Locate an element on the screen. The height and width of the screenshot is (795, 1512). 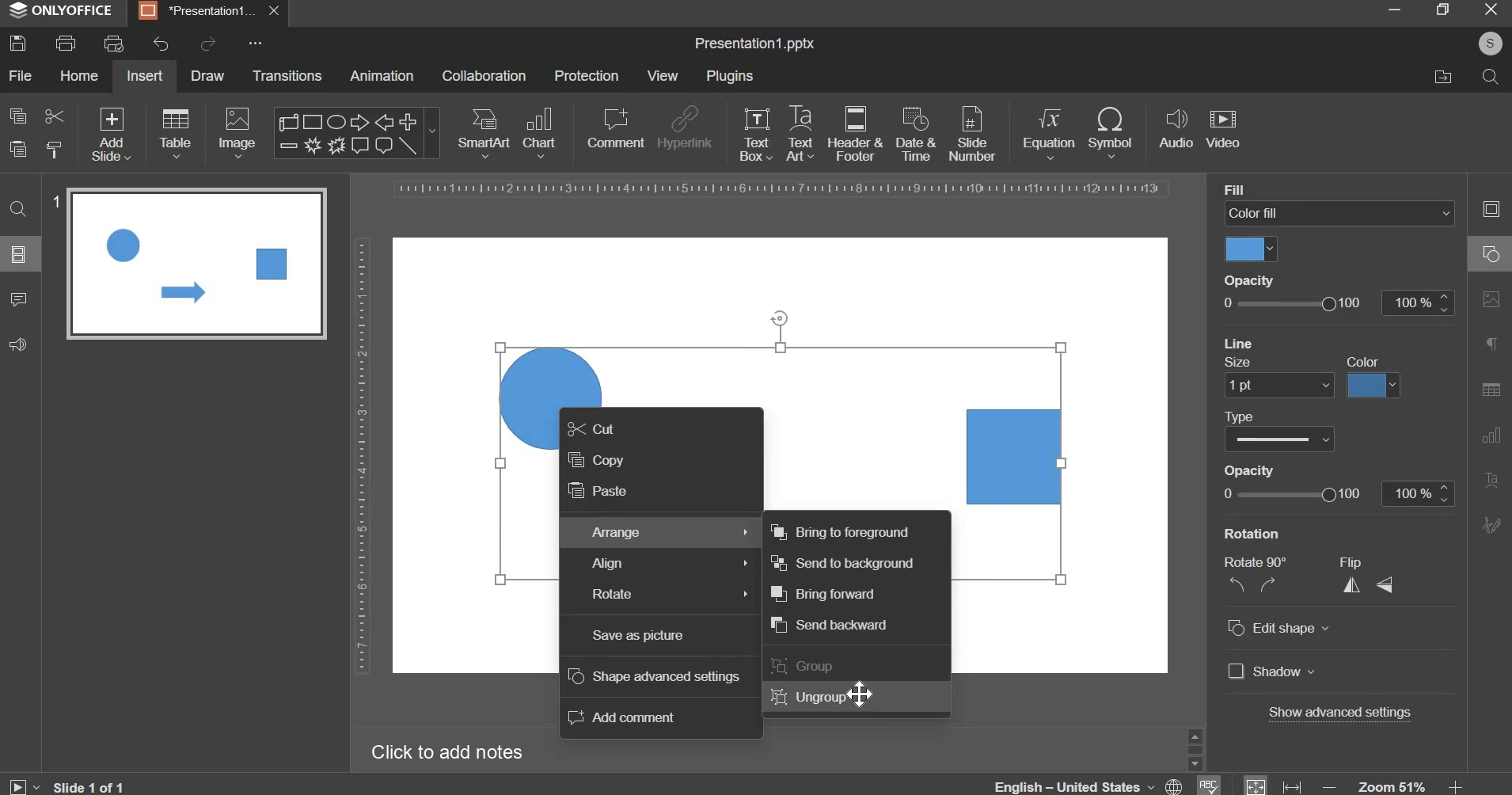
opacity is located at coordinates (1335, 494).